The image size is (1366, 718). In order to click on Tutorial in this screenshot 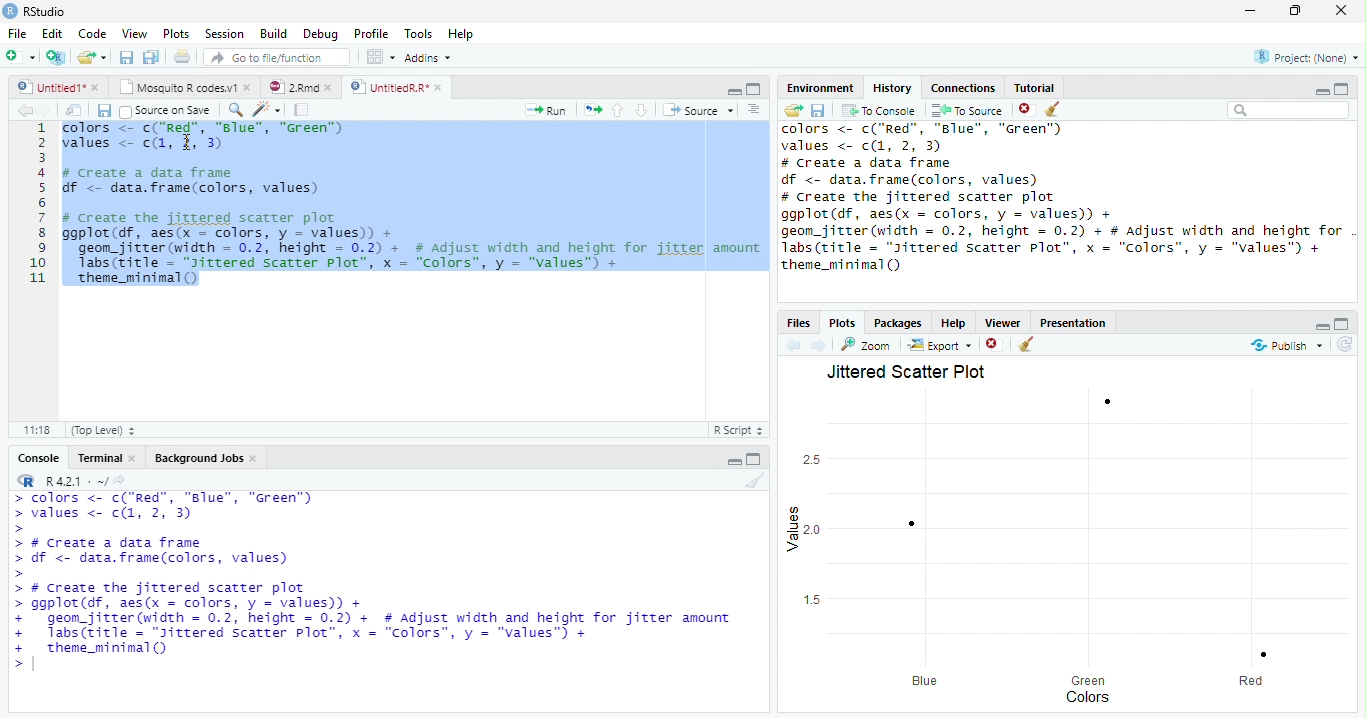, I will do `click(1035, 87)`.